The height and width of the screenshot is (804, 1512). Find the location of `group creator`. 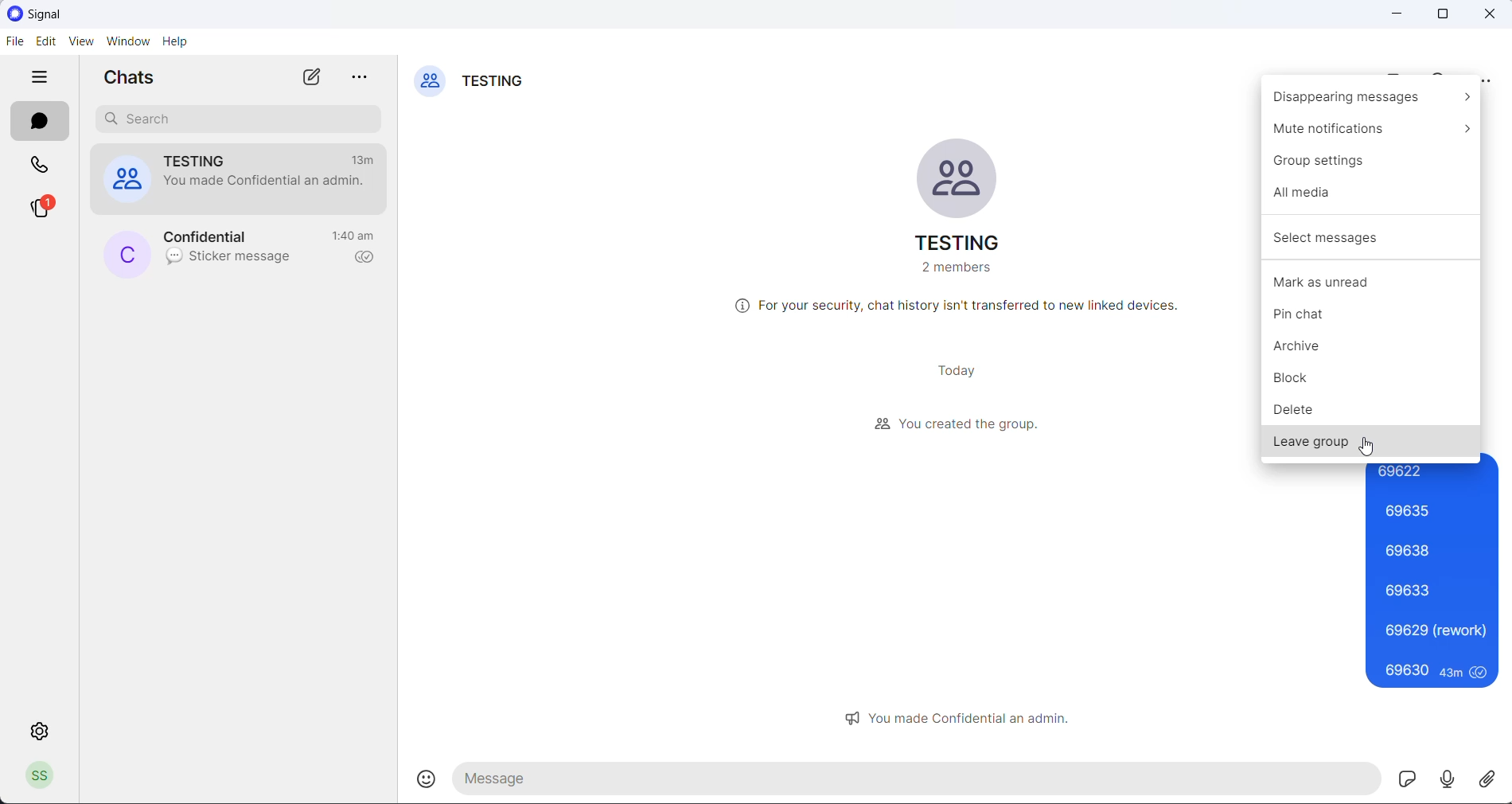

group creator is located at coordinates (957, 423).